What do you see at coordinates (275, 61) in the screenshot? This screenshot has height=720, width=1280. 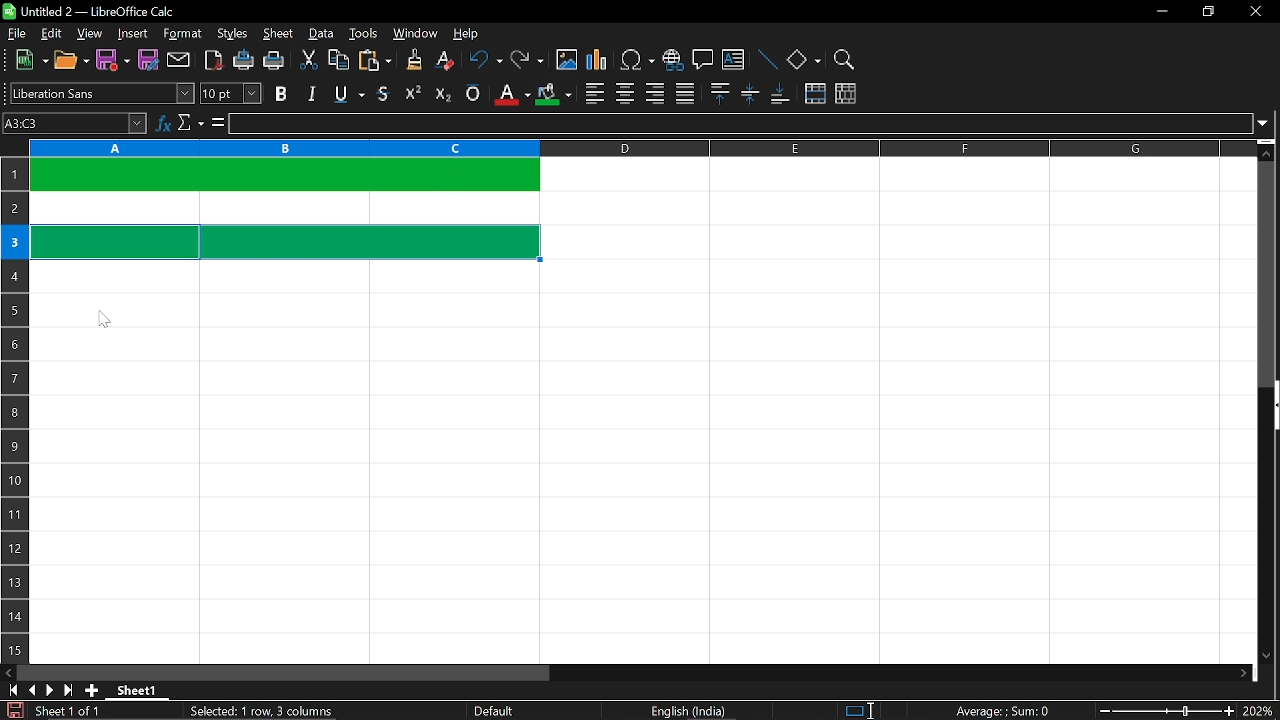 I see `print` at bounding box center [275, 61].